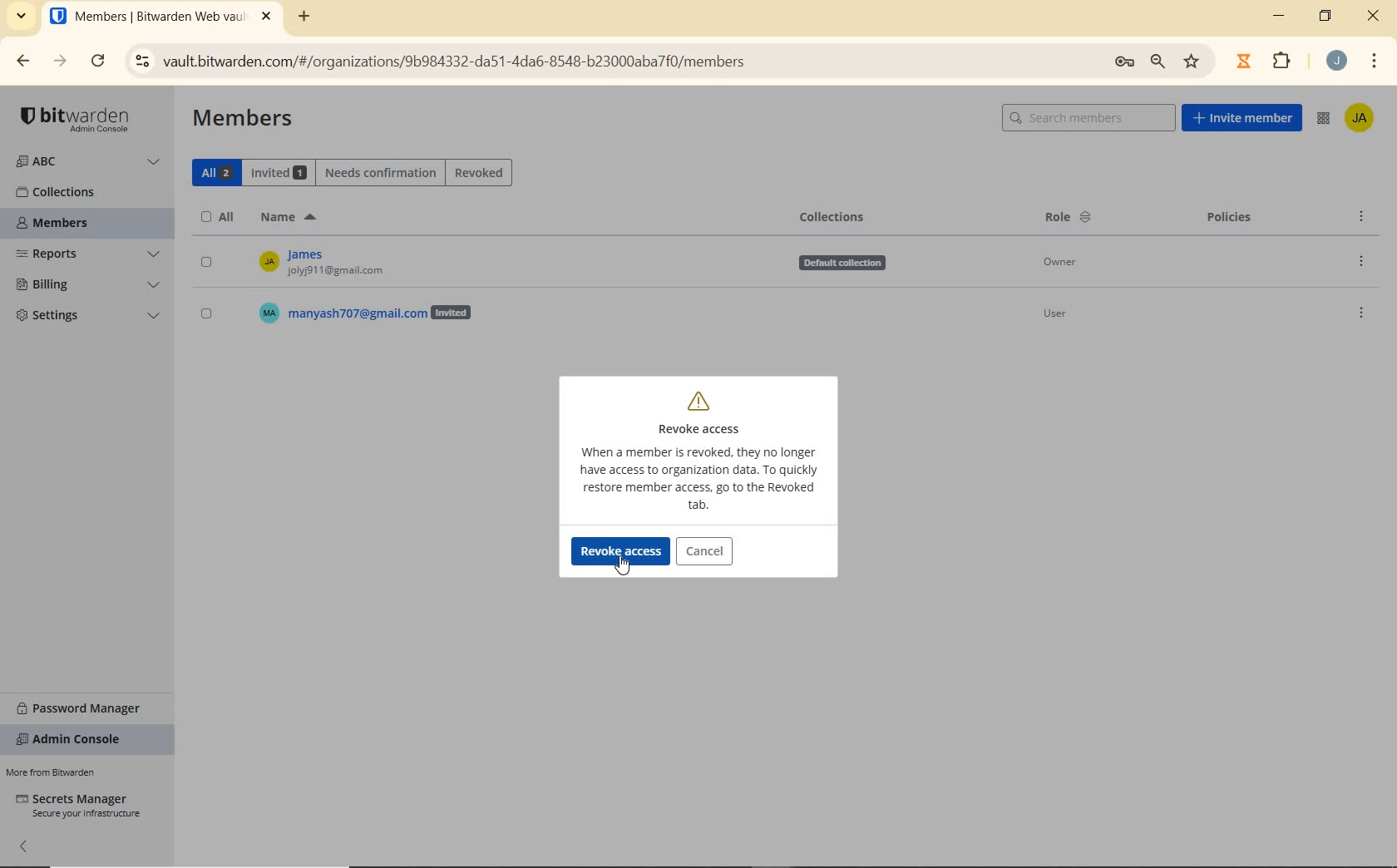  What do you see at coordinates (1339, 61) in the screenshot?
I see `ACCOUNT NAME` at bounding box center [1339, 61].